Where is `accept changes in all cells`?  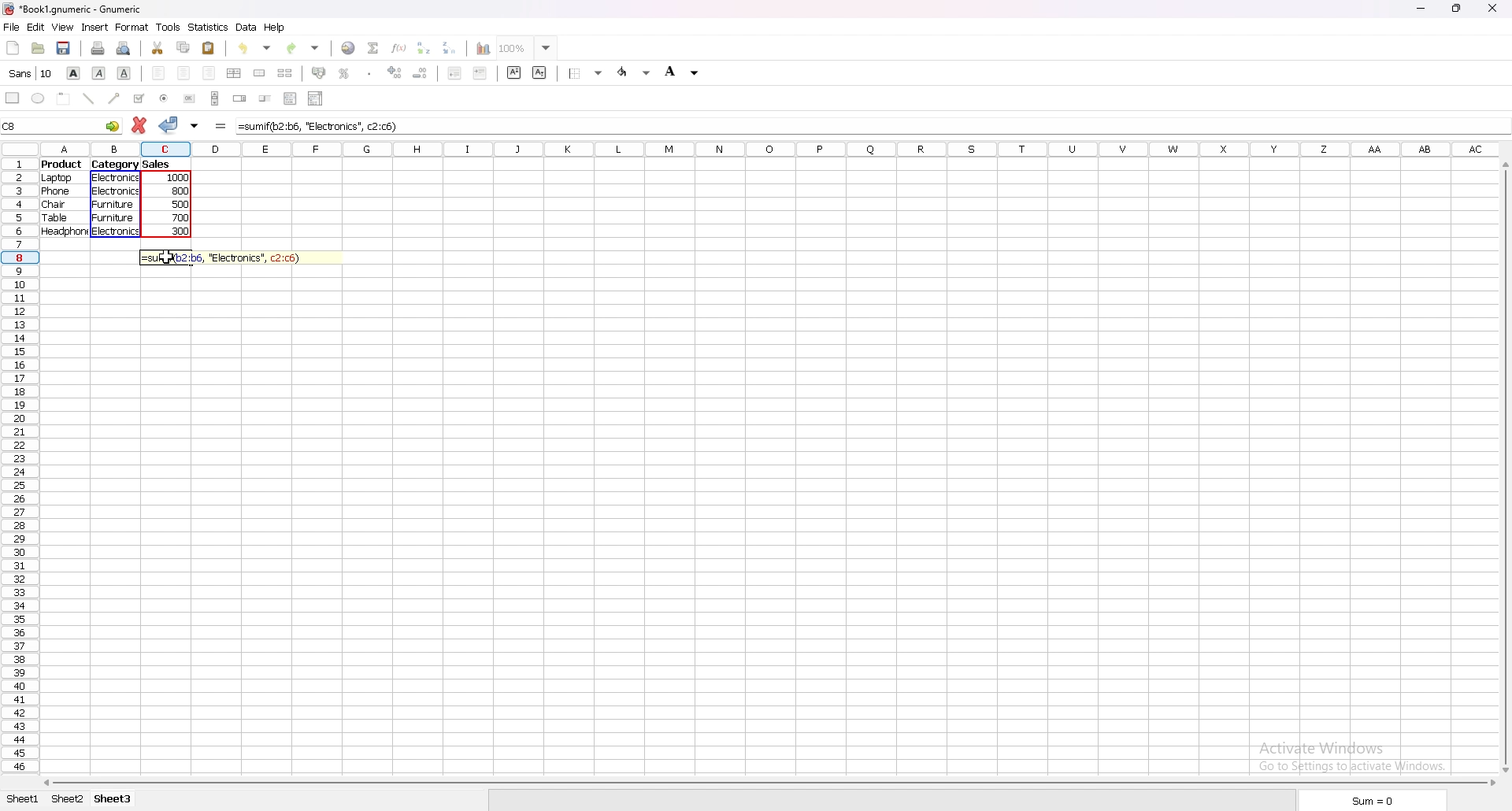
accept changes in all cells is located at coordinates (195, 124).